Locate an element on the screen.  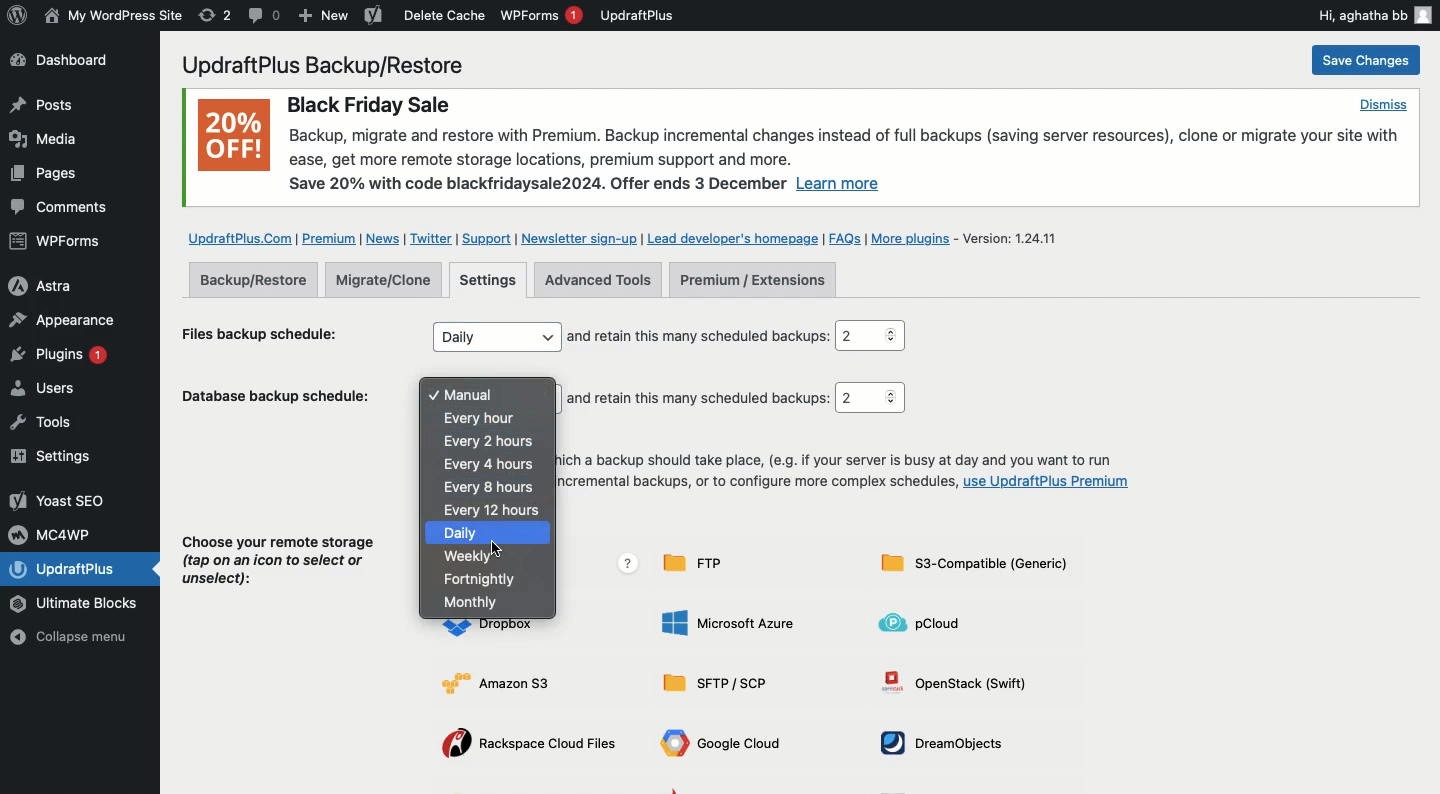
Twitter is located at coordinates (431, 239).